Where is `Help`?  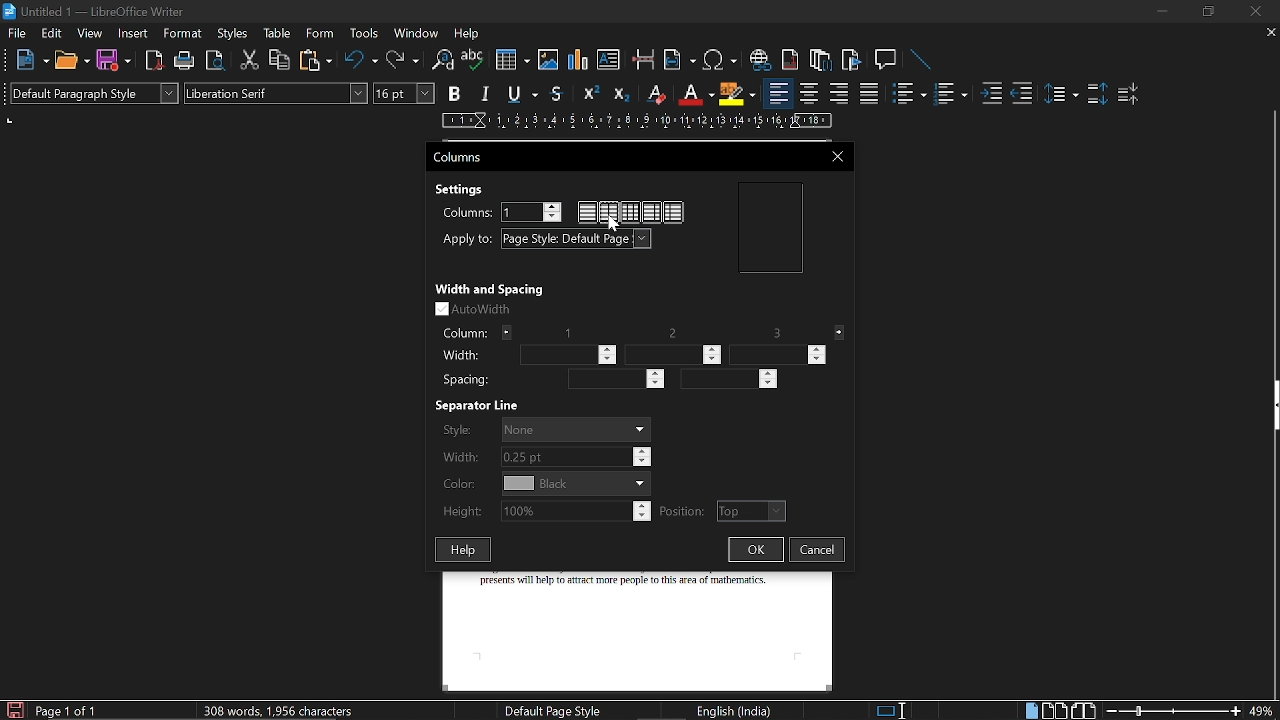 Help is located at coordinates (468, 34).